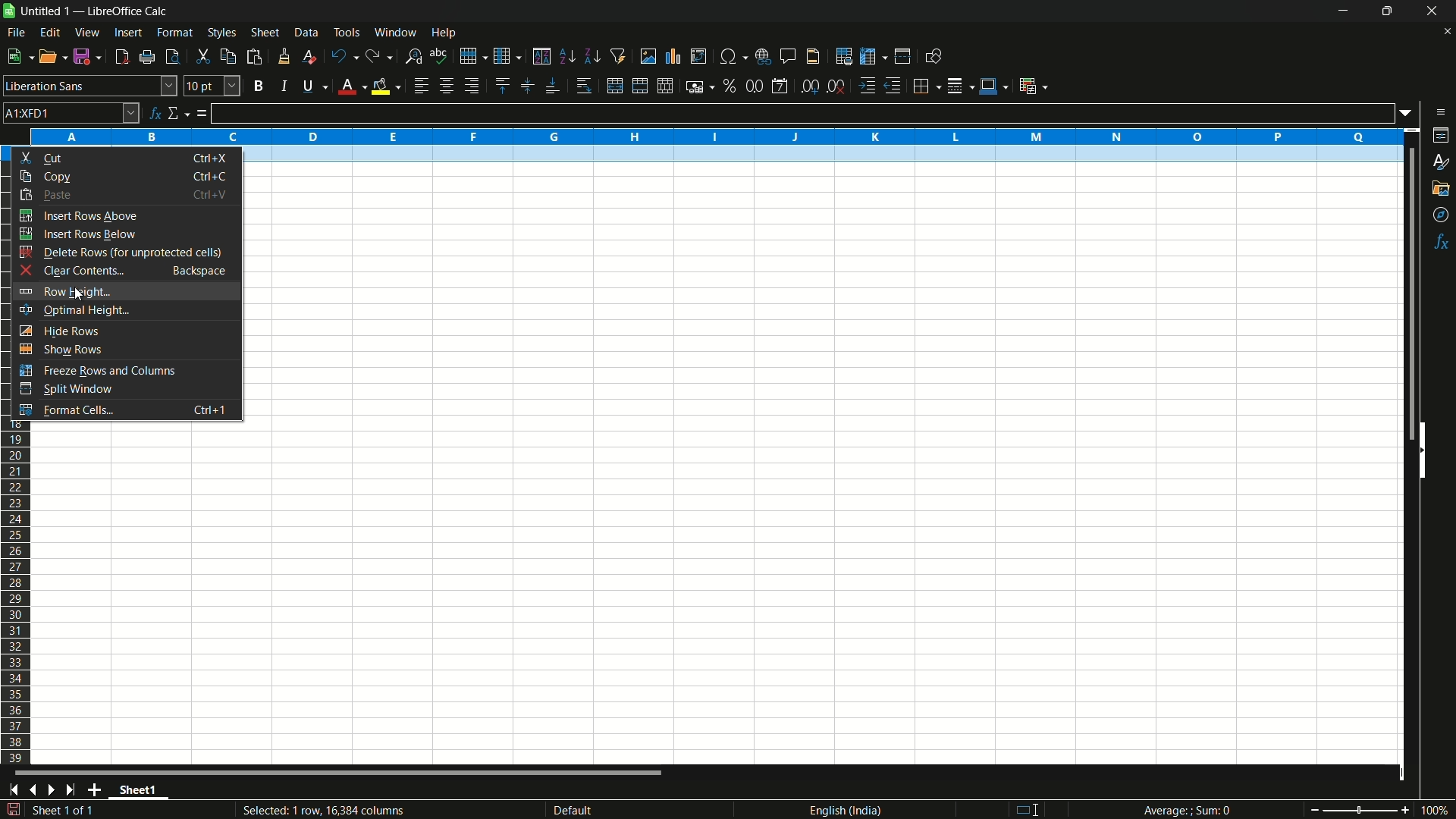 The height and width of the screenshot is (819, 1456). What do you see at coordinates (265, 33) in the screenshot?
I see `sheet menu` at bounding box center [265, 33].